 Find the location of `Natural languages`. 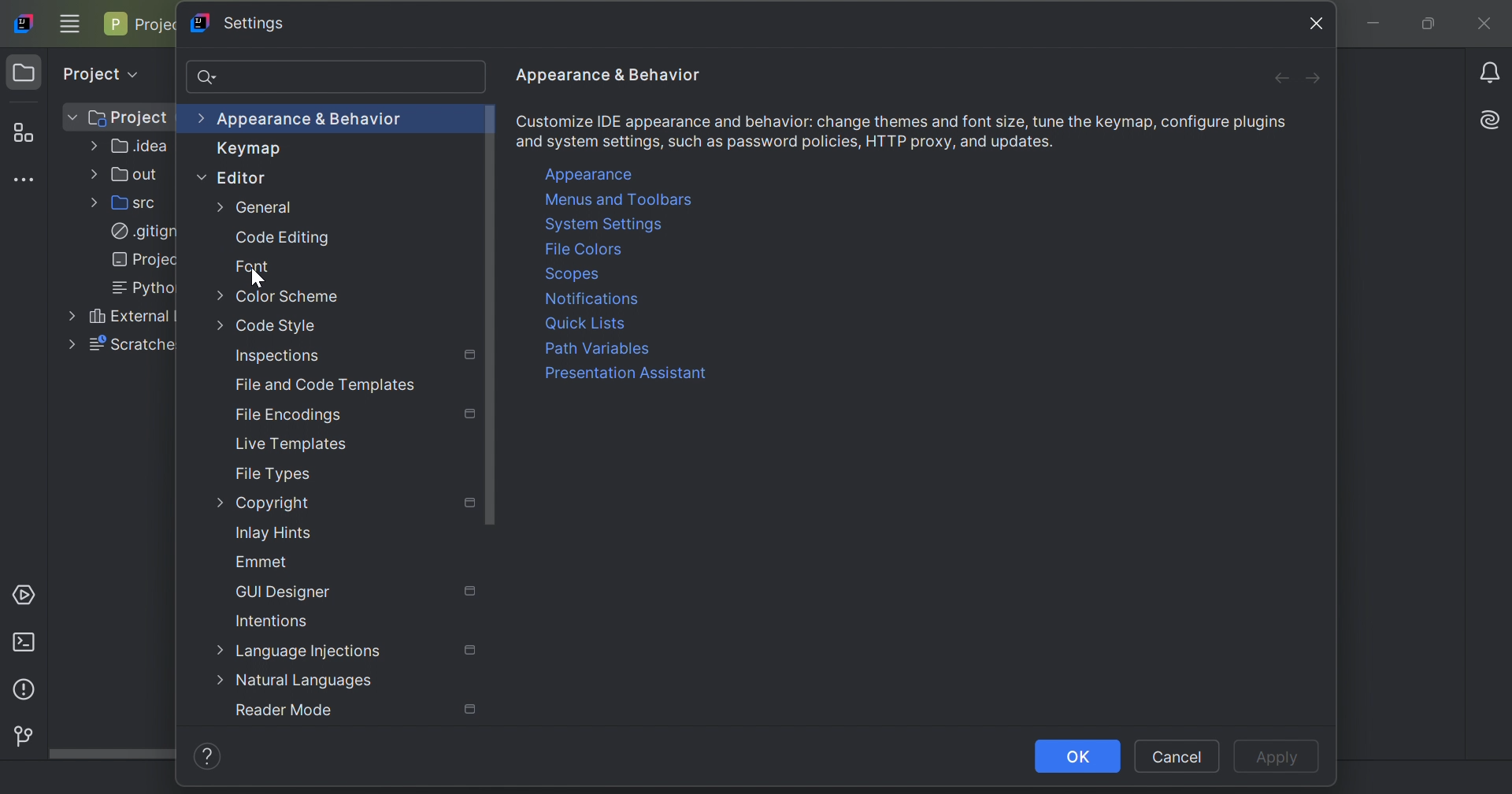

Natural languages is located at coordinates (295, 682).